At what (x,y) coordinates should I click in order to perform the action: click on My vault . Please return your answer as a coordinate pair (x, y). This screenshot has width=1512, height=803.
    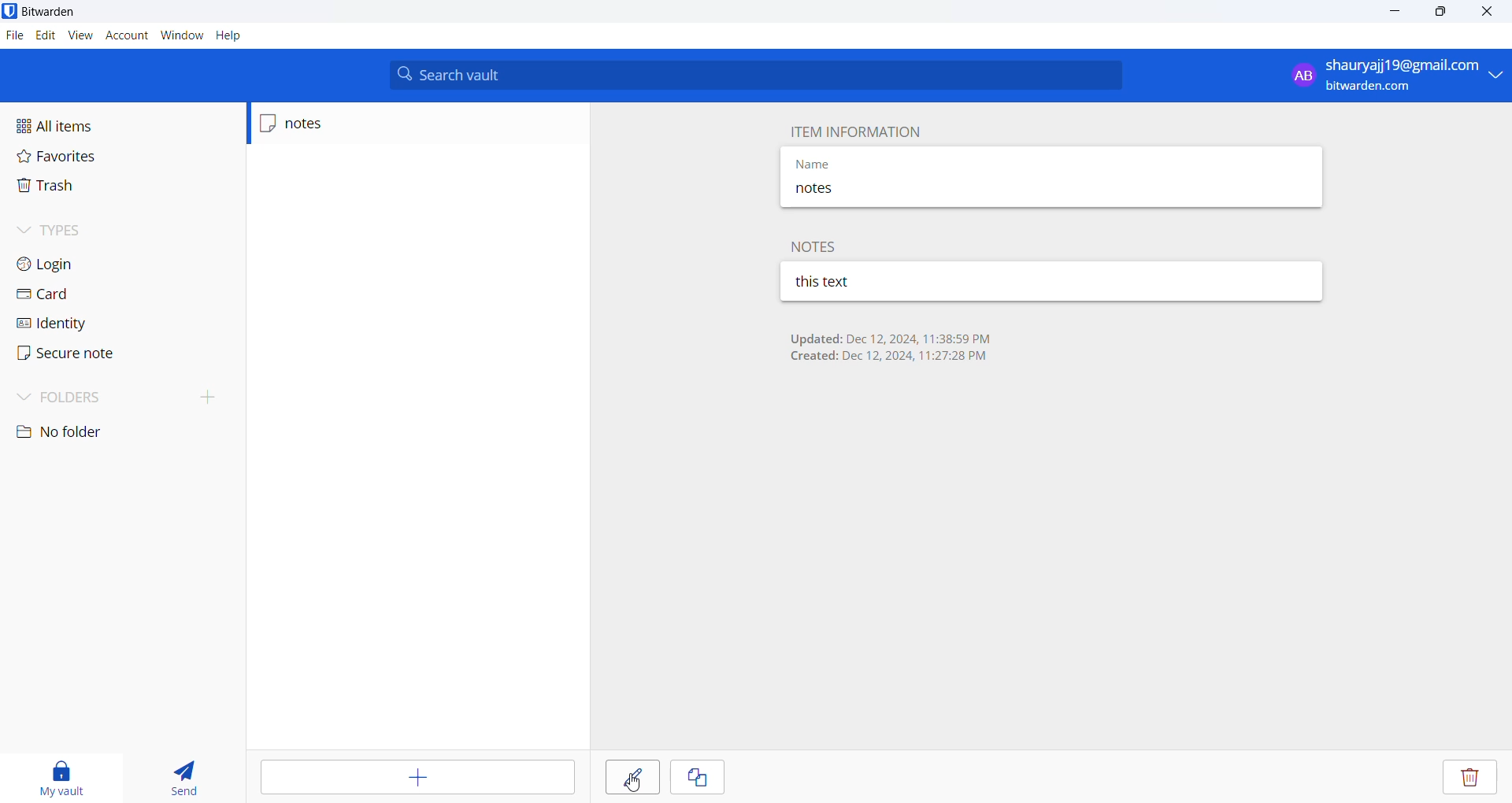
    Looking at the image, I should click on (58, 775).